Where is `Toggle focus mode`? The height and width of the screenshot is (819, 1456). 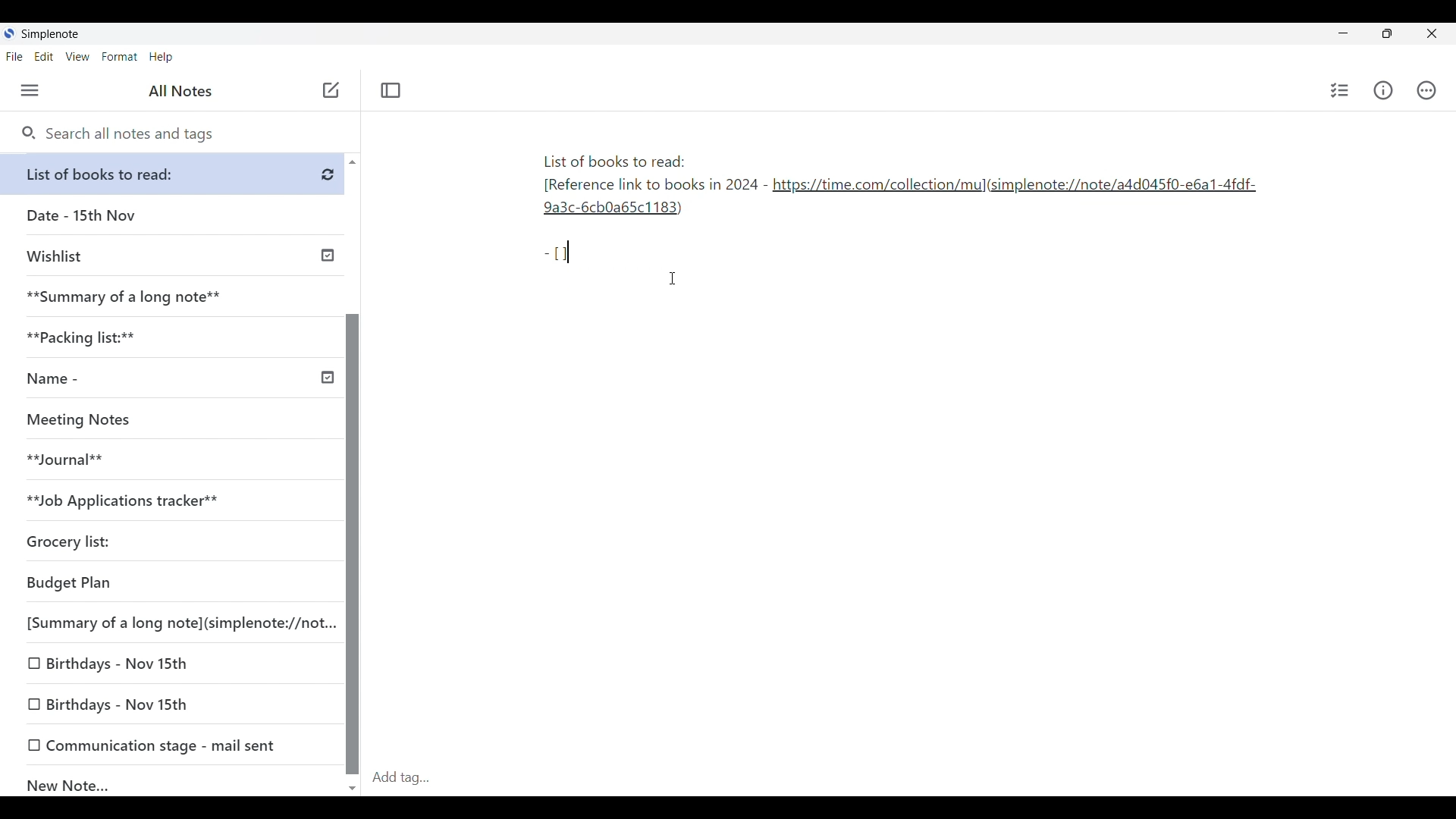
Toggle focus mode is located at coordinates (391, 90).